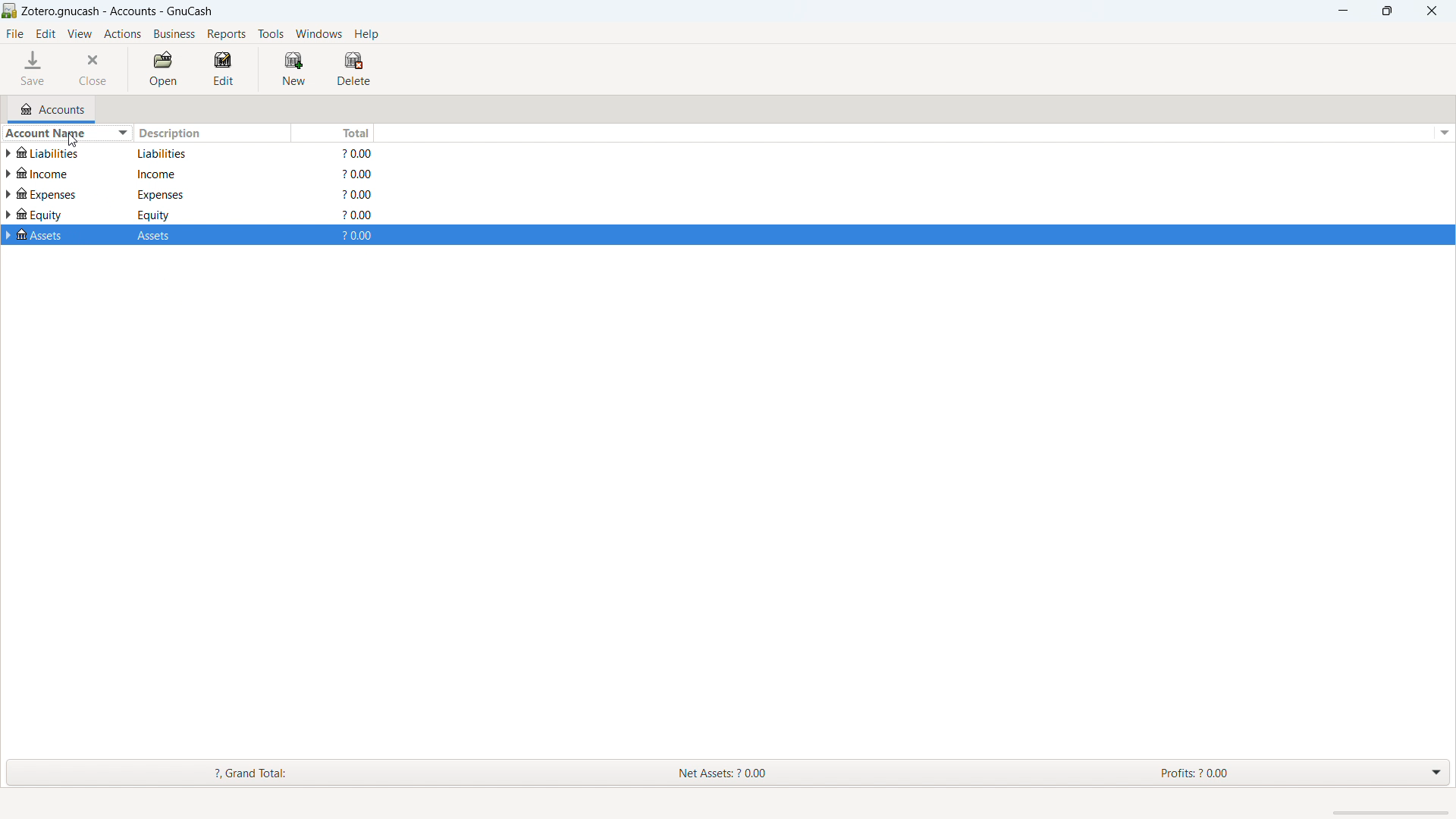 The width and height of the screenshot is (1456, 819). Describe the element at coordinates (164, 69) in the screenshot. I see `open` at that location.